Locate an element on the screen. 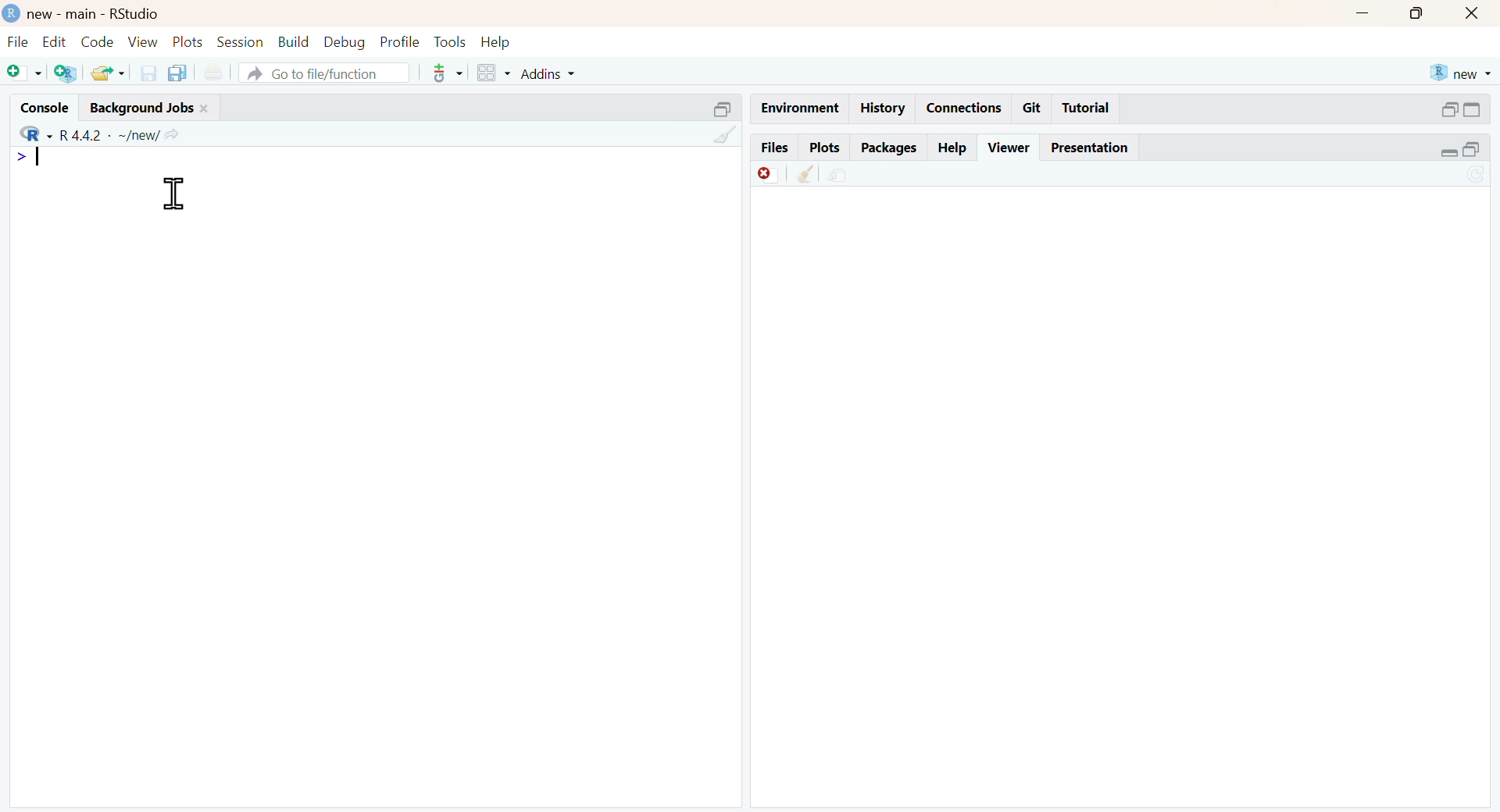 The height and width of the screenshot is (812, 1500). R 4.4.2 ~/new/ is located at coordinates (109, 136).